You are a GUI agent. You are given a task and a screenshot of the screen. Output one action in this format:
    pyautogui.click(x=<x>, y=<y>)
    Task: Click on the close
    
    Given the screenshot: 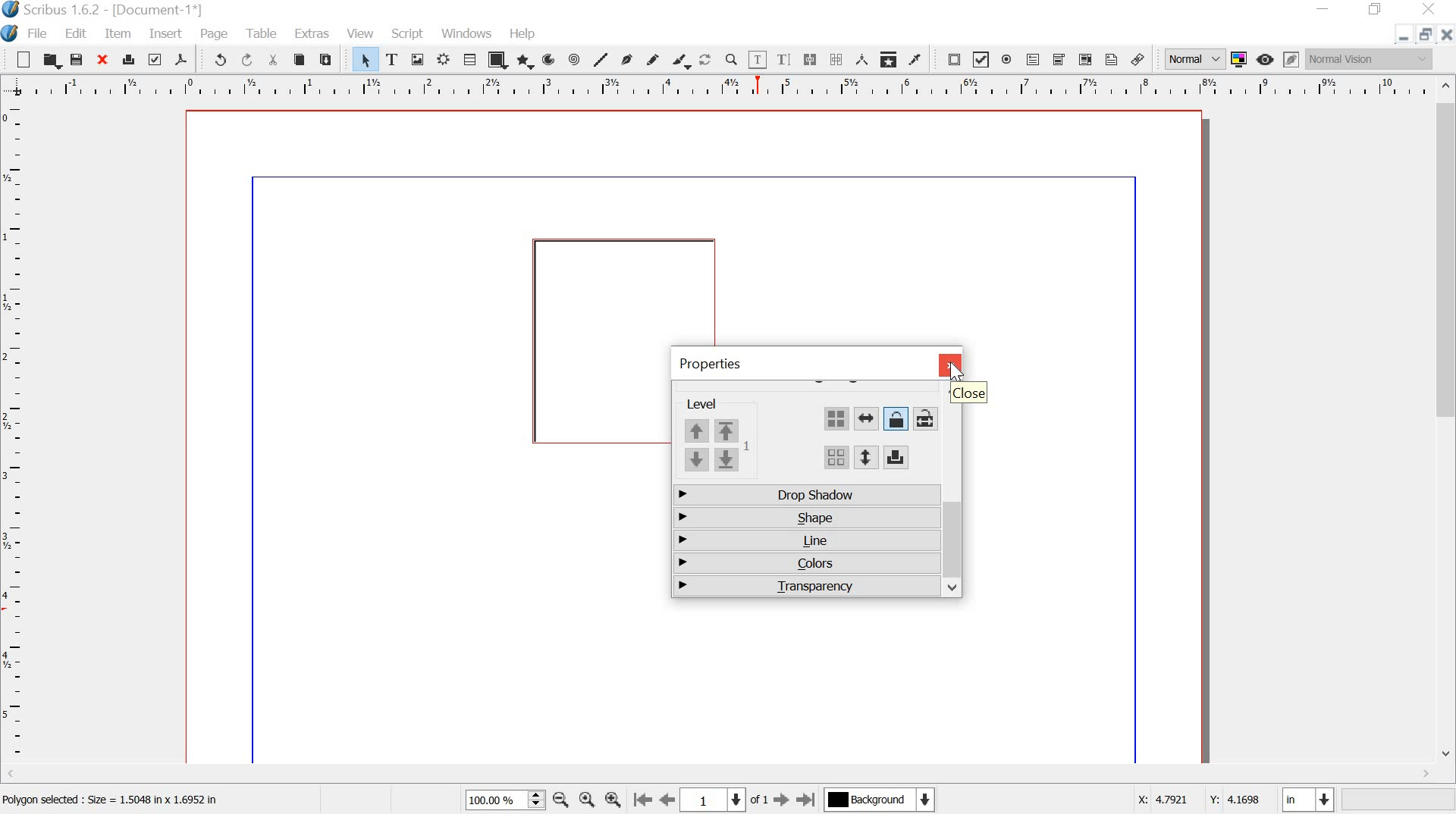 What is the action you would take?
    pyautogui.click(x=967, y=394)
    